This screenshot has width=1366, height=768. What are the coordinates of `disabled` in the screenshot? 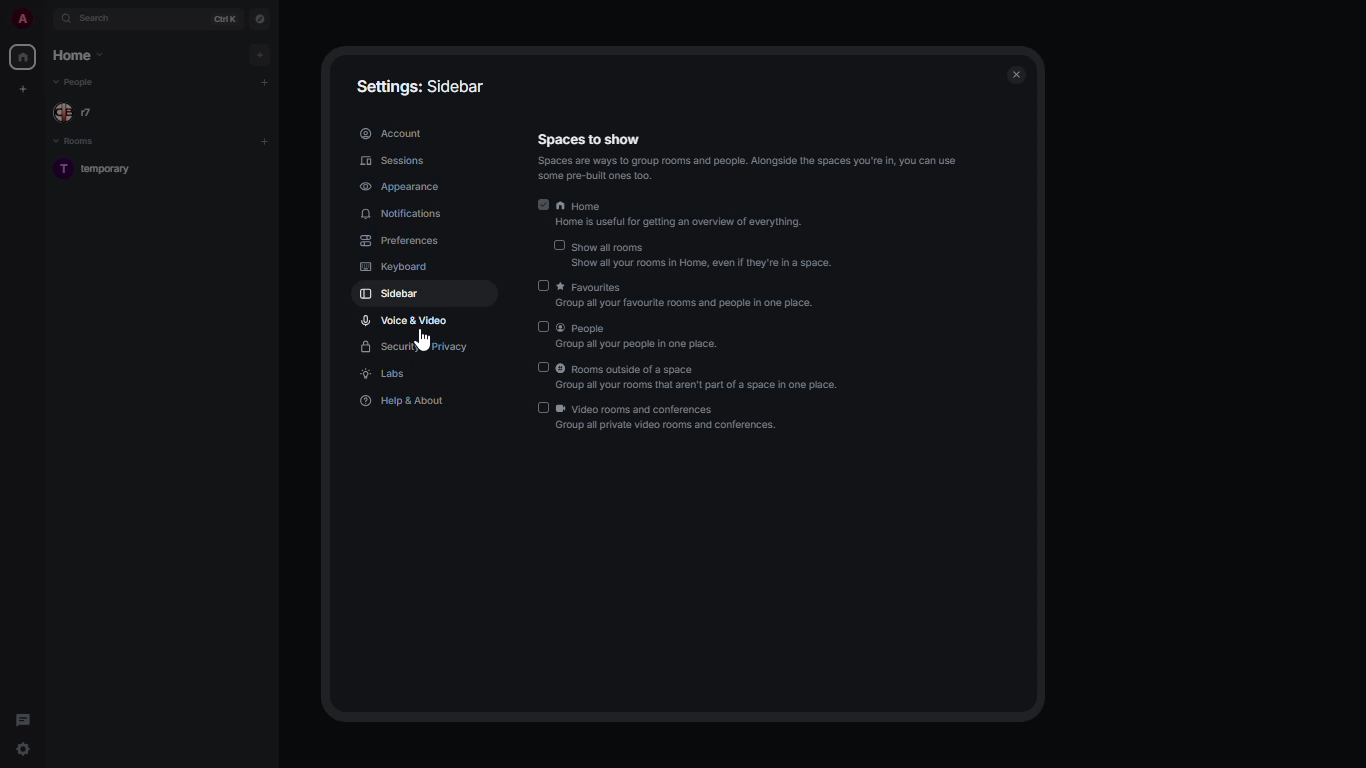 It's located at (542, 408).